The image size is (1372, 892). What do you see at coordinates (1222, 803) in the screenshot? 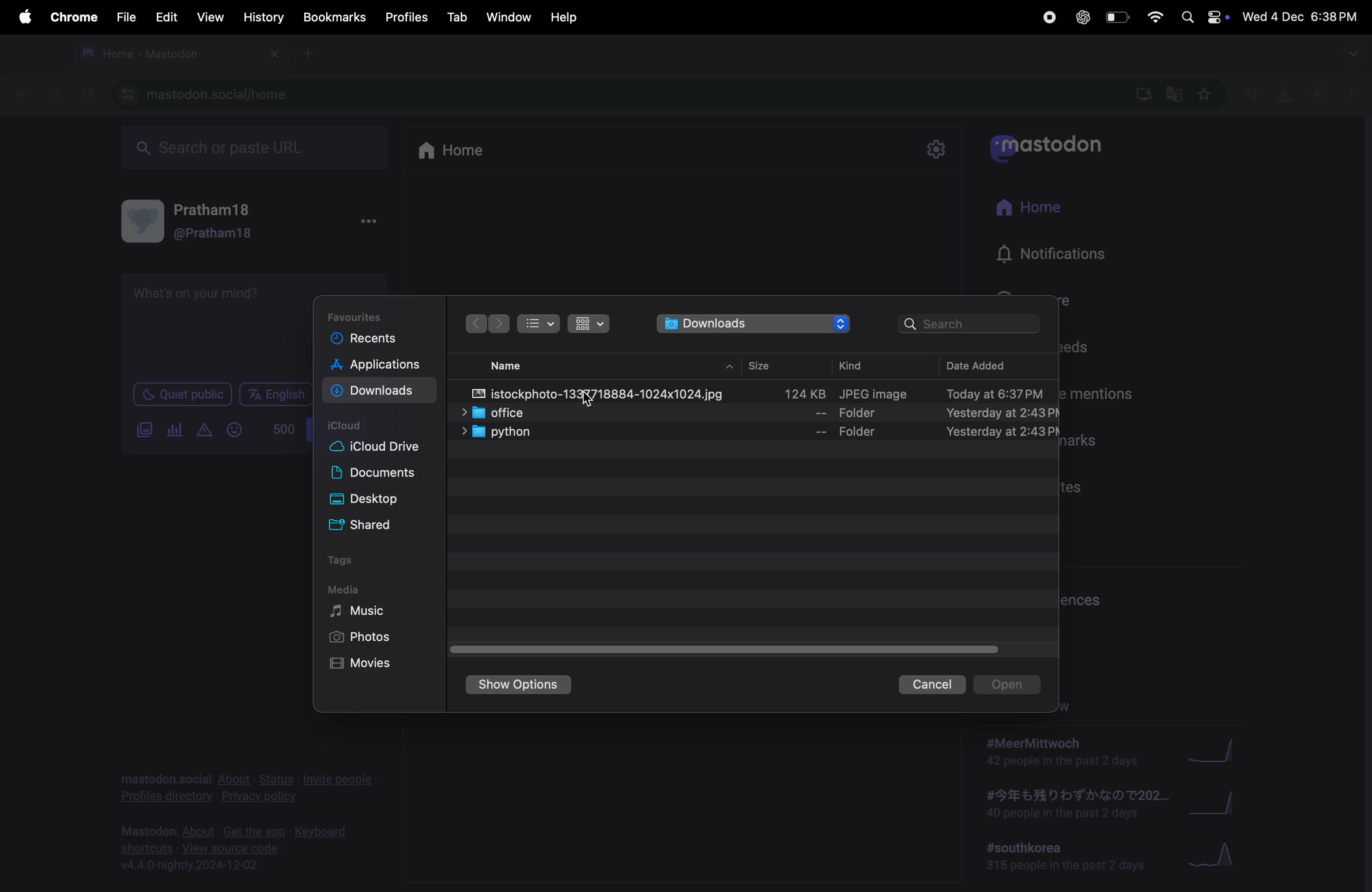
I see `Graph` at bounding box center [1222, 803].